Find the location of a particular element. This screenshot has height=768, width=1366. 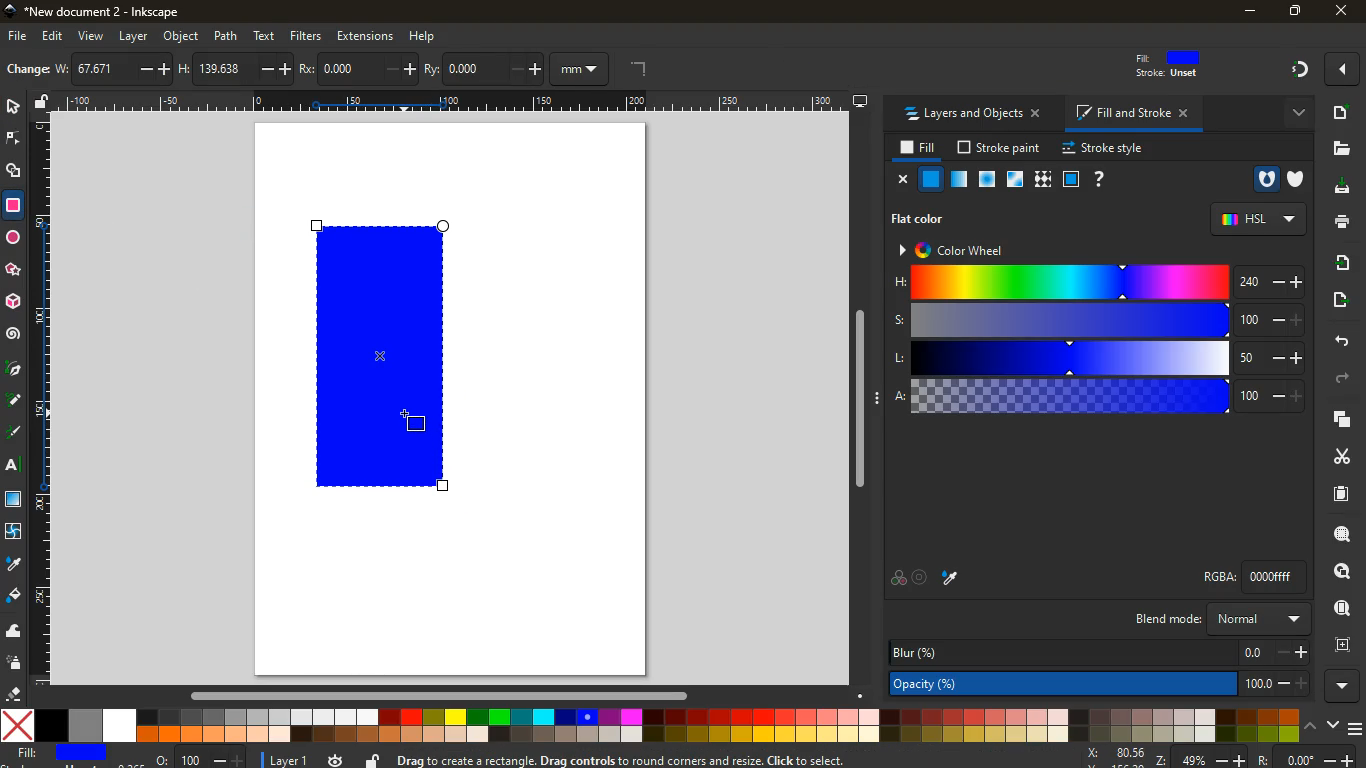

po is located at coordinates (359, 70).